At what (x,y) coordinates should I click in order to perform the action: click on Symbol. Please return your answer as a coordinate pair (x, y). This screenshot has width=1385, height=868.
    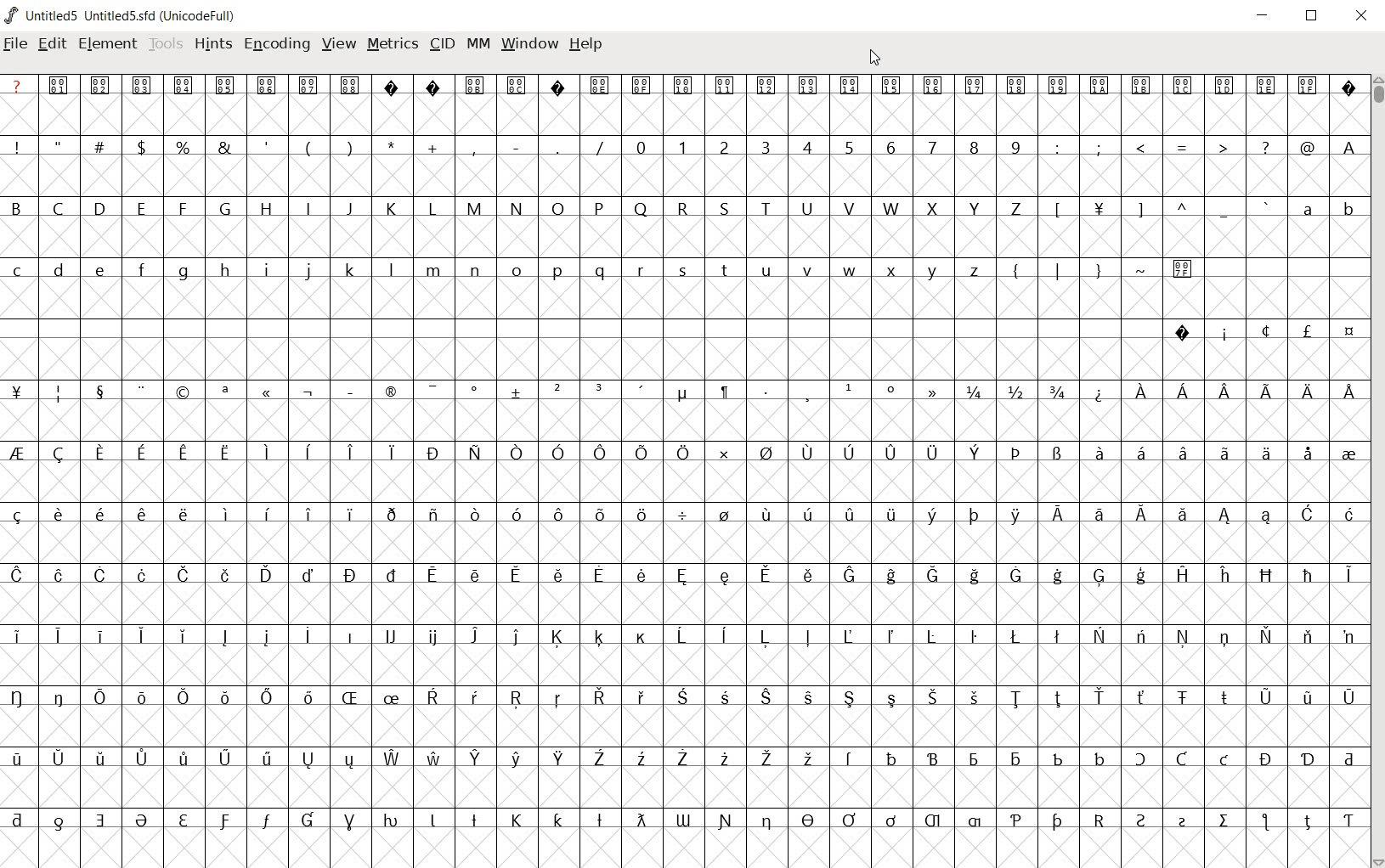
    Looking at the image, I should click on (432, 516).